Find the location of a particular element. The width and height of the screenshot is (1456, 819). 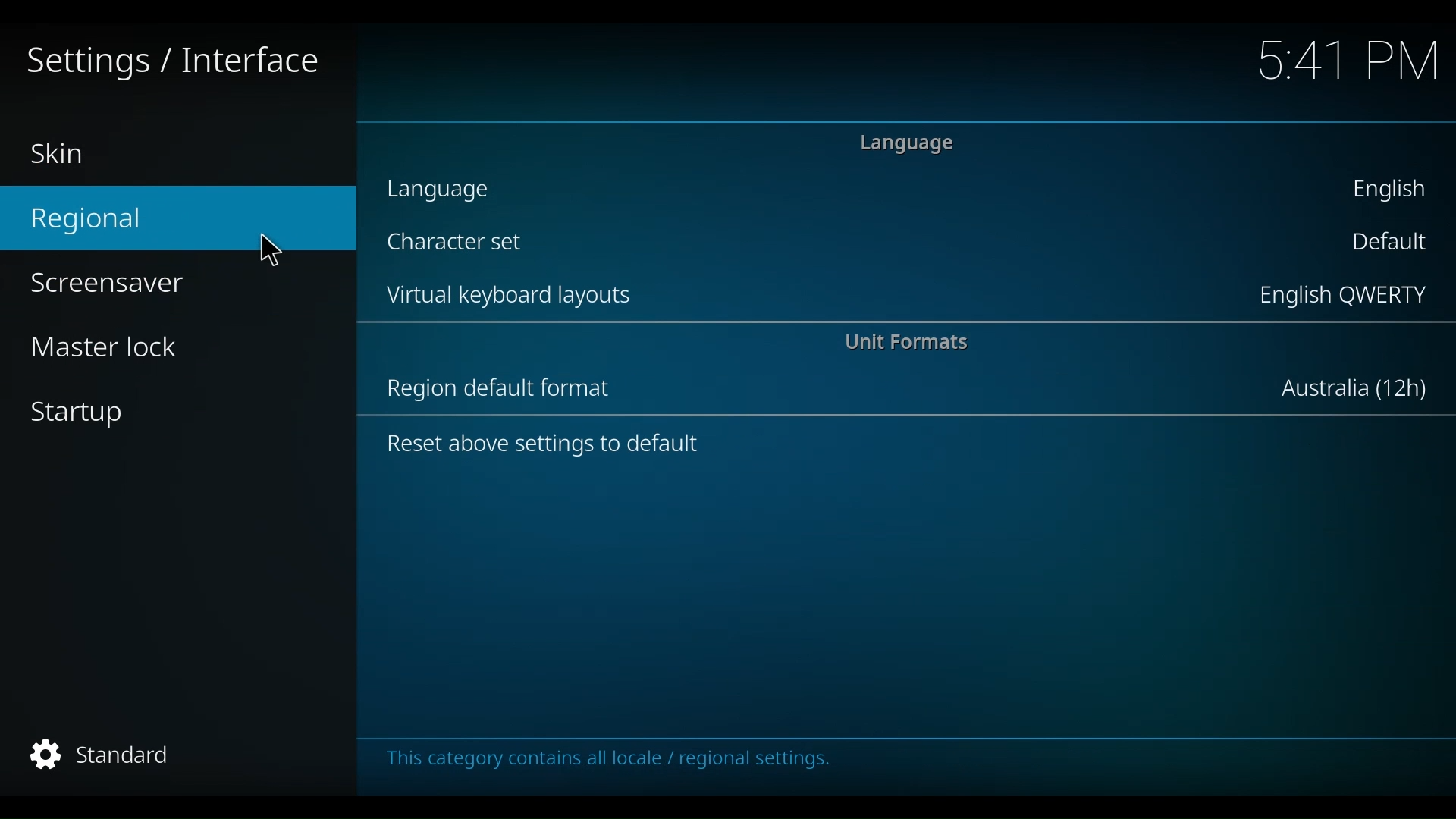

language is located at coordinates (438, 188).